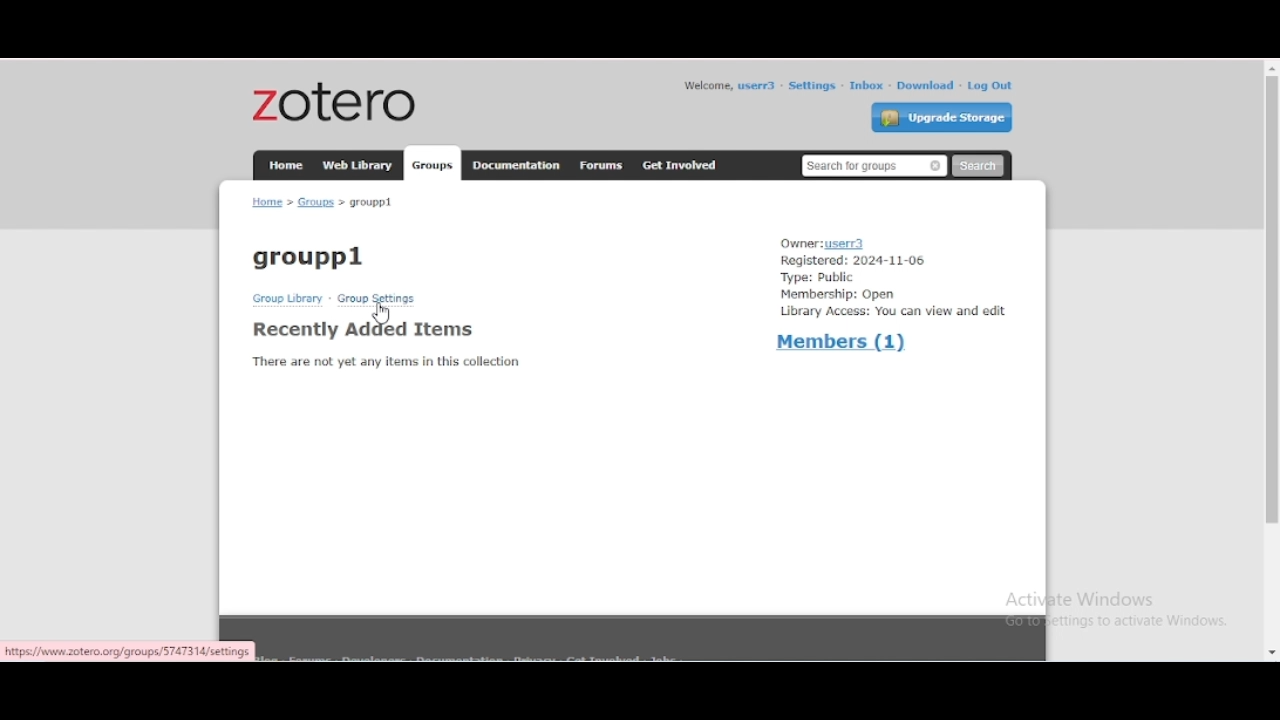 This screenshot has width=1280, height=720. Describe the element at coordinates (926, 86) in the screenshot. I see `download` at that location.